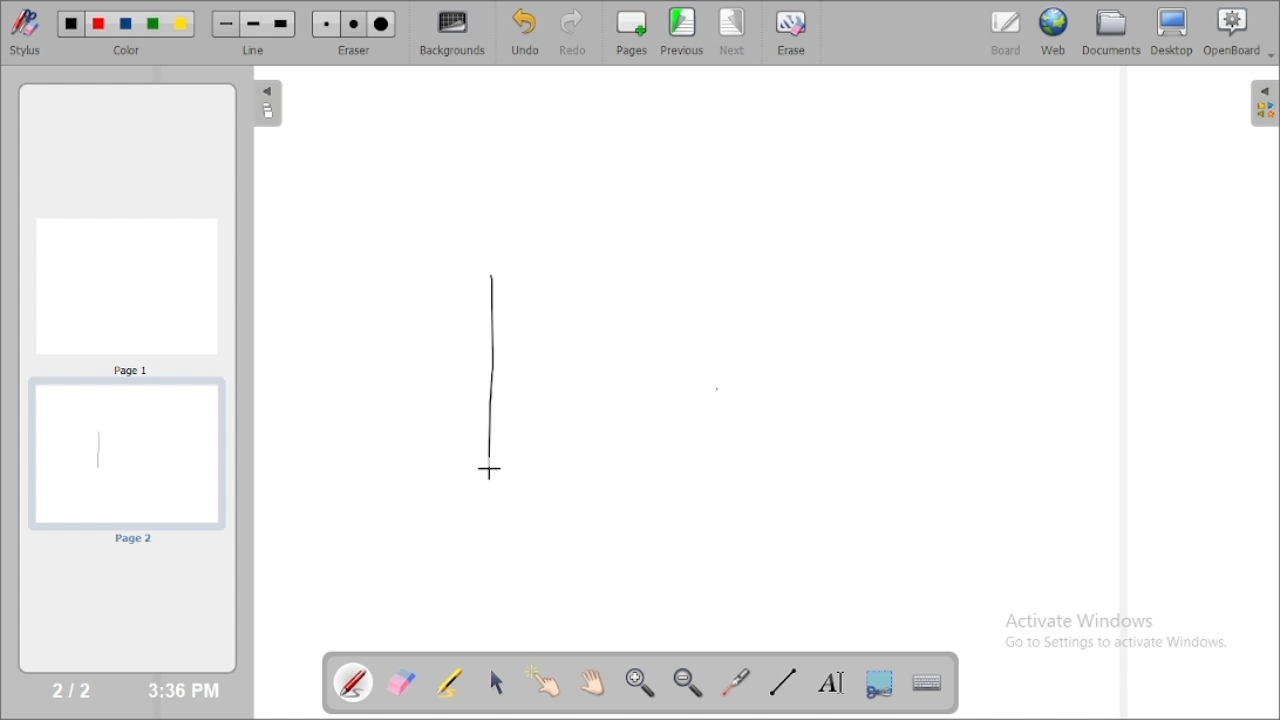  What do you see at coordinates (72, 25) in the screenshot?
I see `Color 1` at bounding box center [72, 25].